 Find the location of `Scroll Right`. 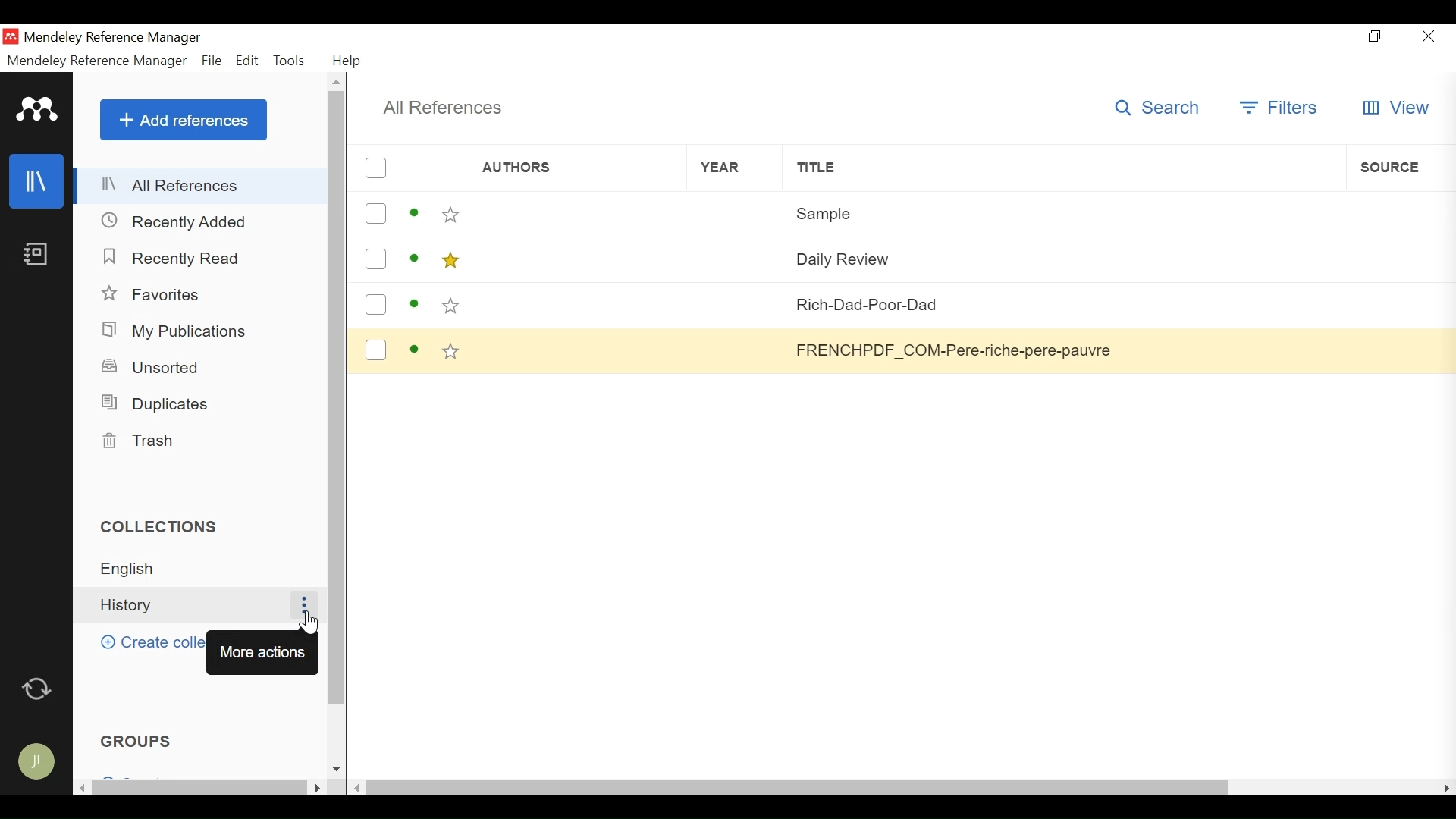

Scroll Right is located at coordinates (1447, 787).